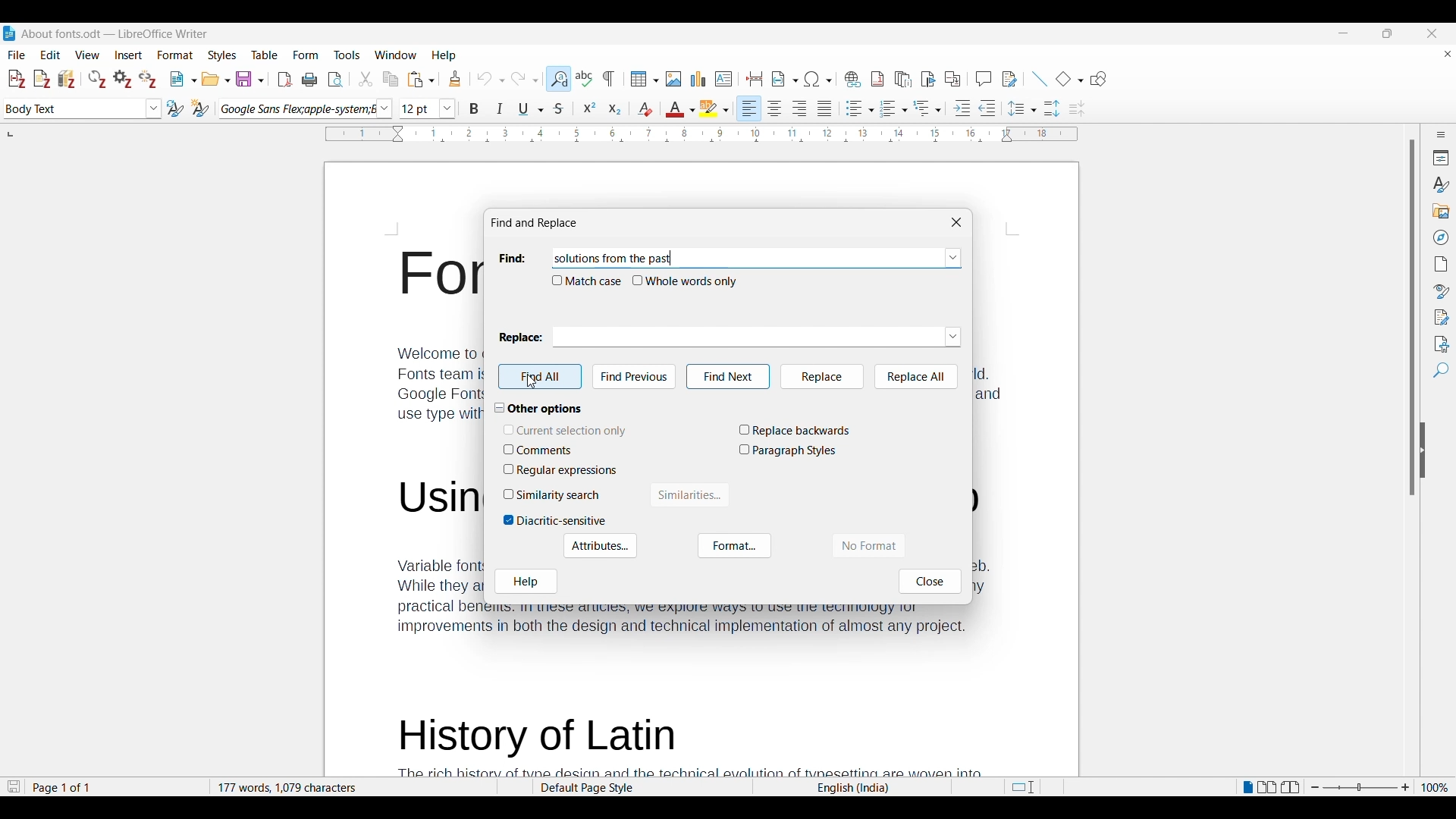 This screenshot has width=1456, height=819. I want to click on Close interface, so click(1432, 33).